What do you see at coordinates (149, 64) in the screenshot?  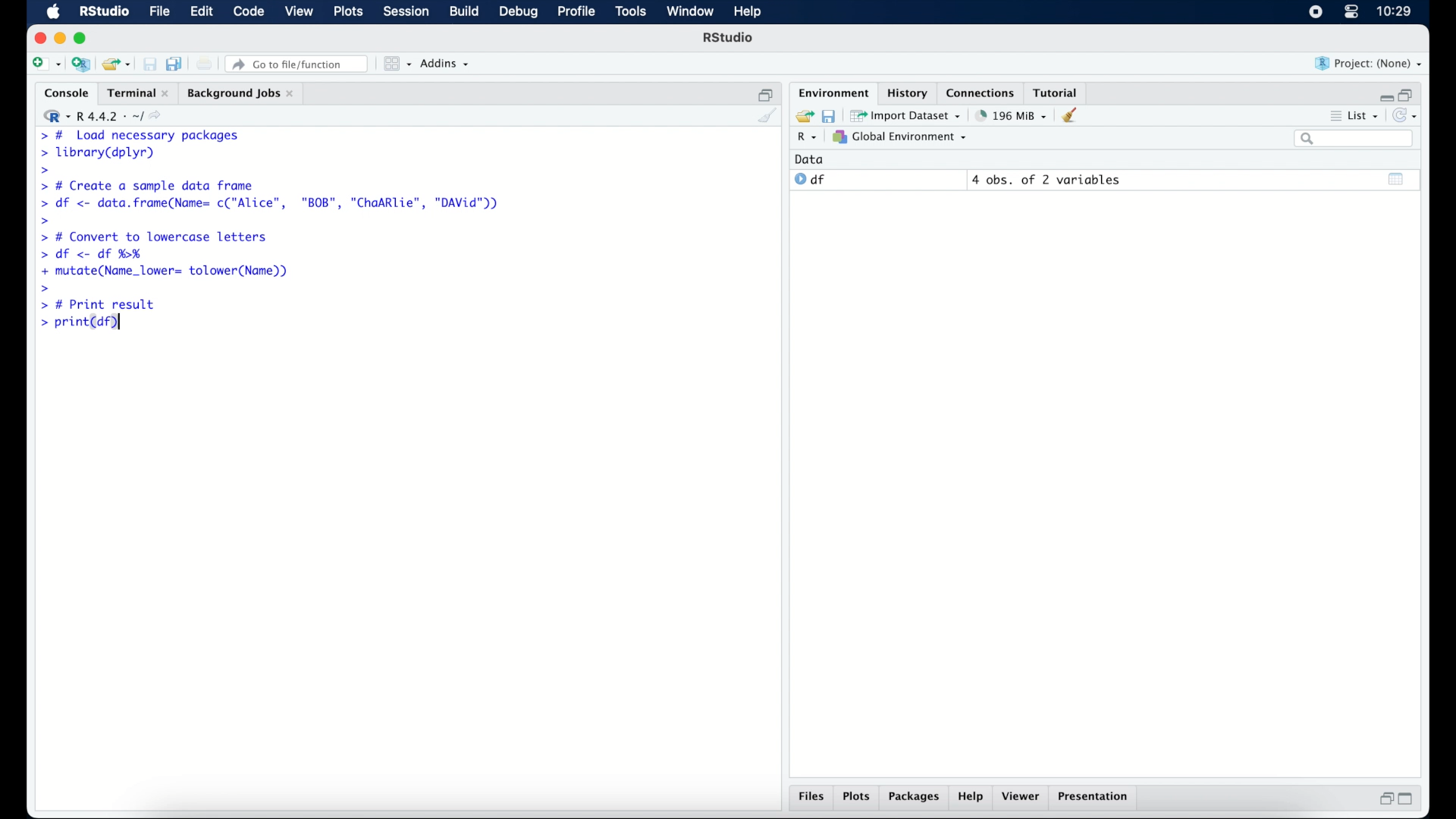 I see `save` at bounding box center [149, 64].